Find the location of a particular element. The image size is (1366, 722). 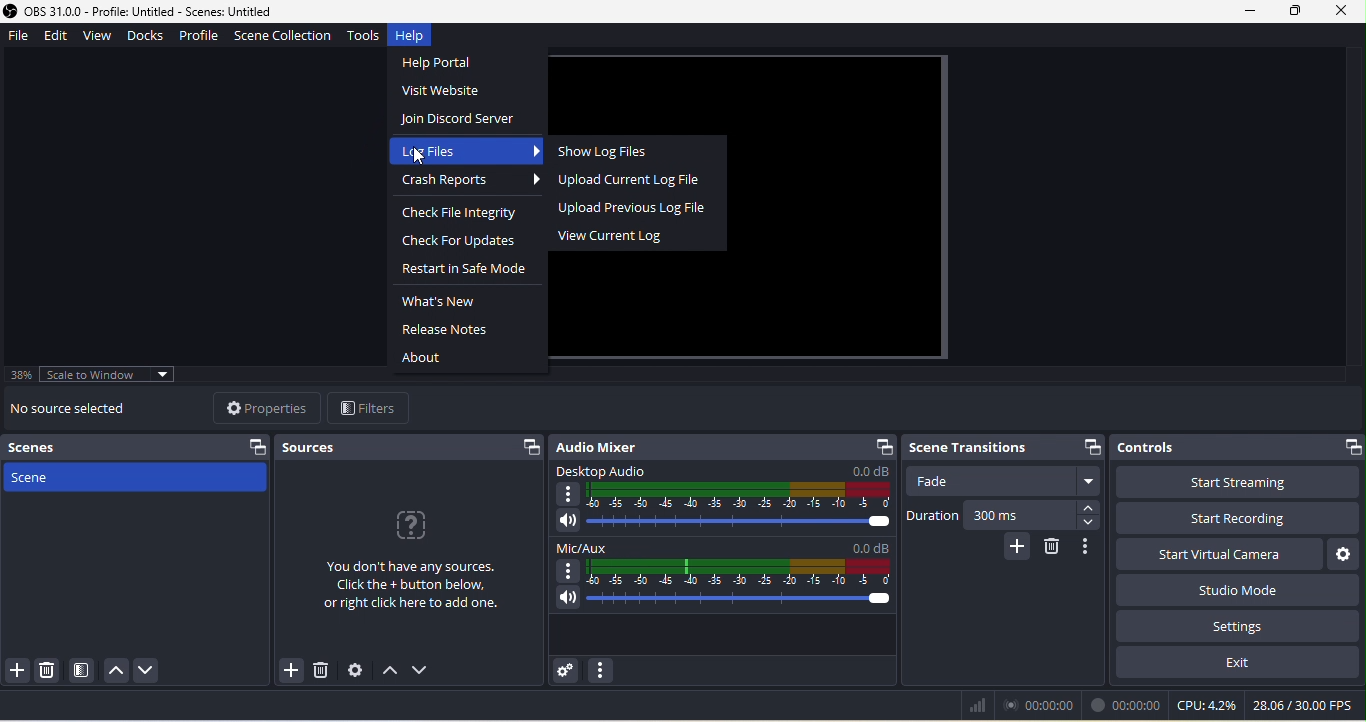

38% is located at coordinates (23, 375).